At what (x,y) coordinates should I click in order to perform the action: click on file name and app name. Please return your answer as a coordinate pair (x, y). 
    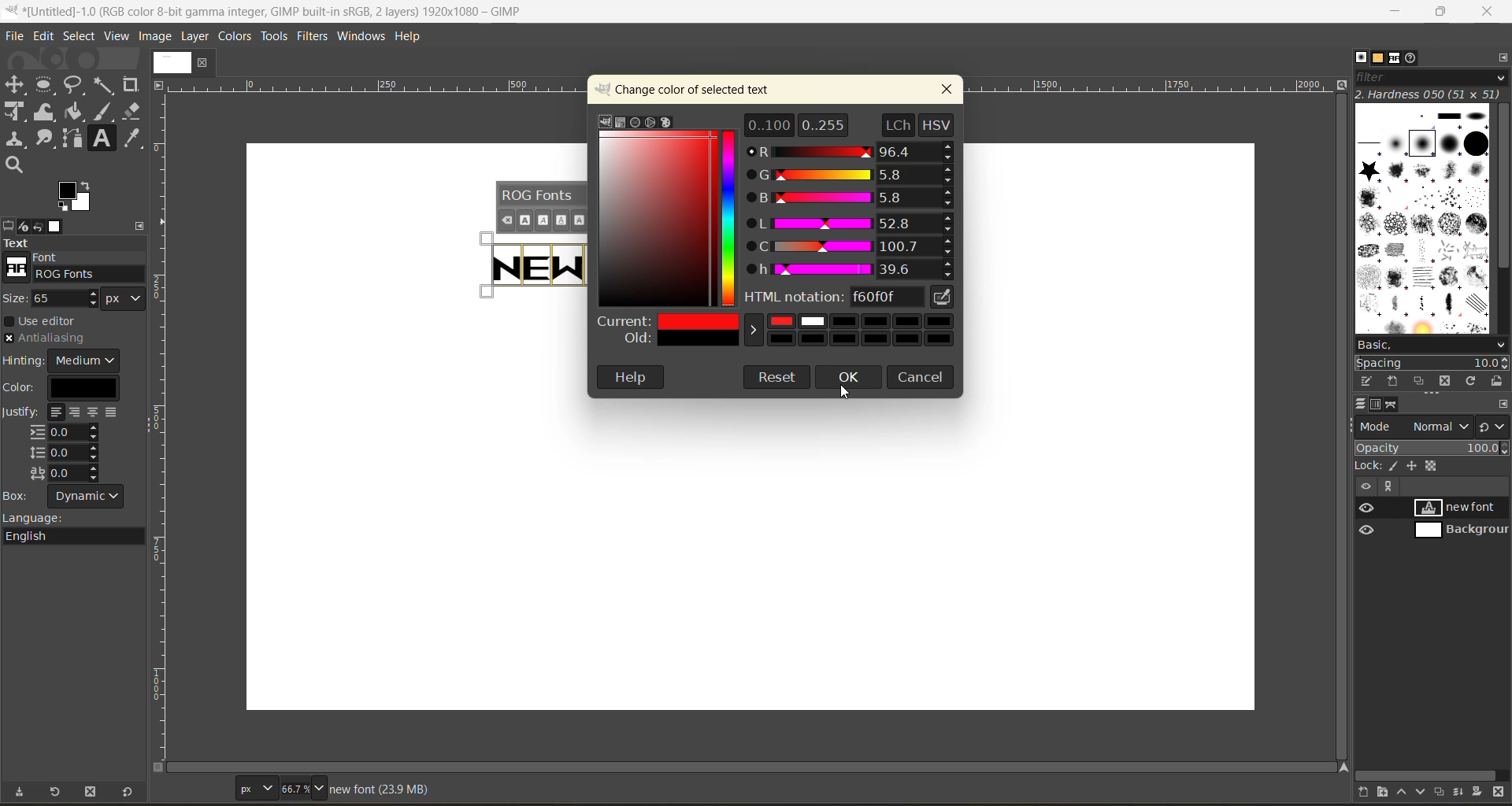
    Looking at the image, I should click on (280, 10).